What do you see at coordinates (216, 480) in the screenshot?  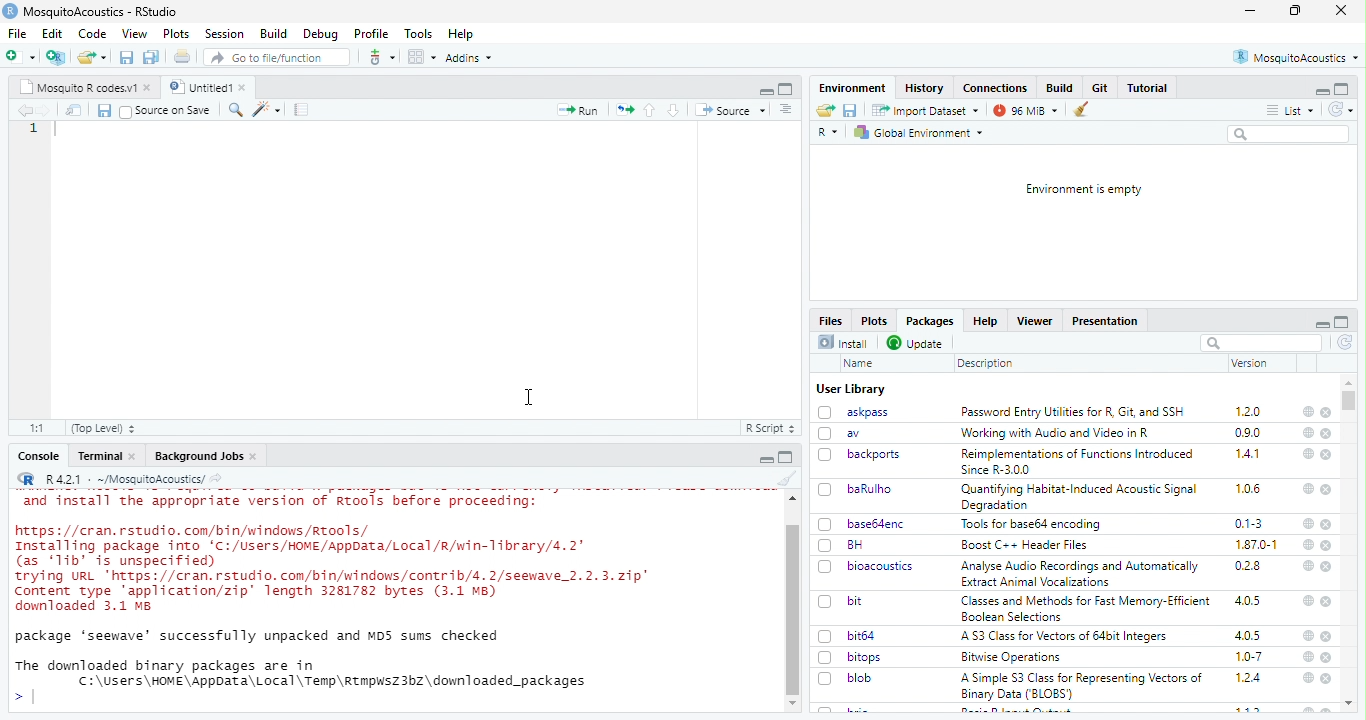 I see `share` at bounding box center [216, 480].